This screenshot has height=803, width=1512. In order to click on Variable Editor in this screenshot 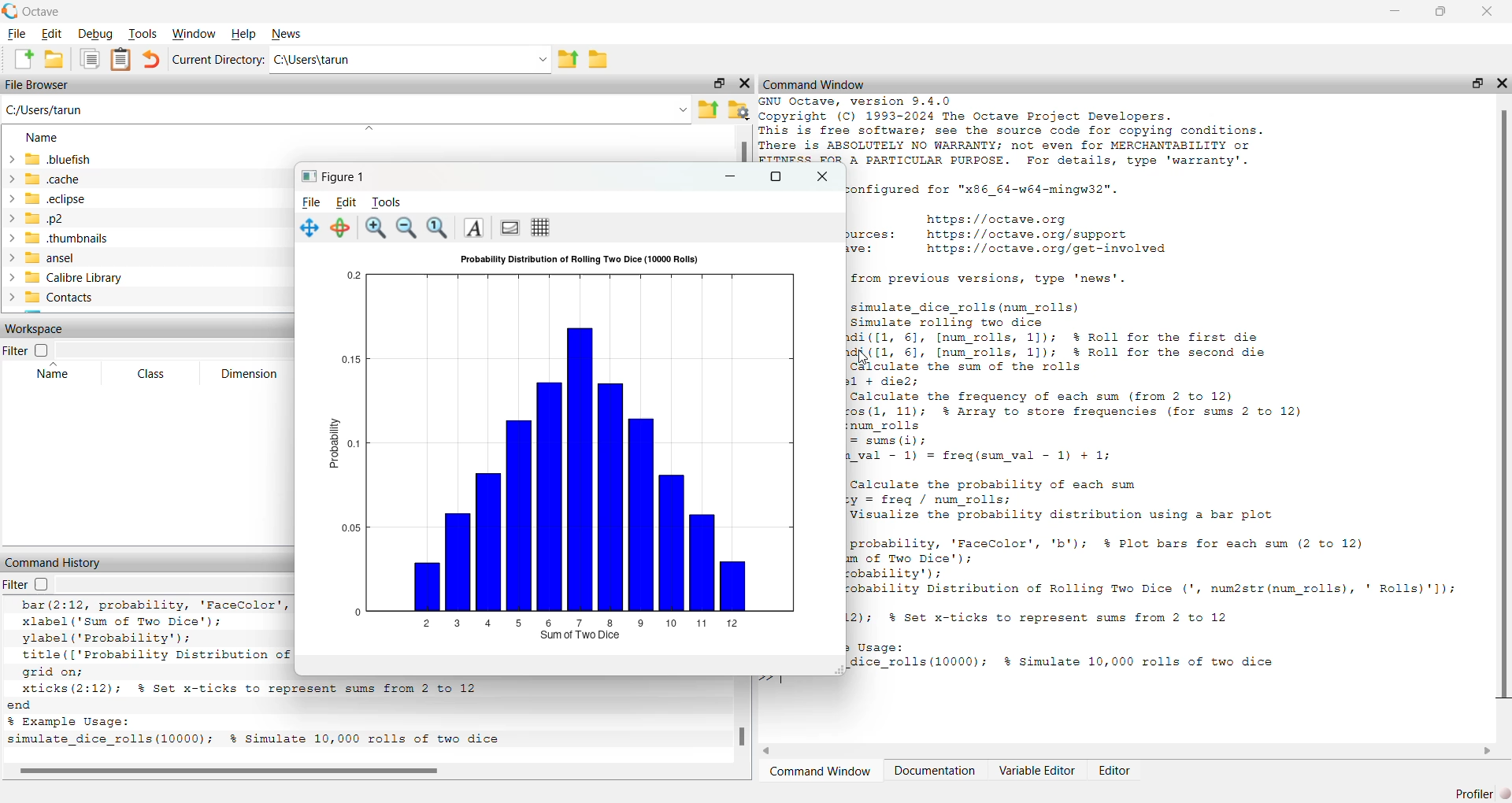, I will do `click(1038, 769)`.